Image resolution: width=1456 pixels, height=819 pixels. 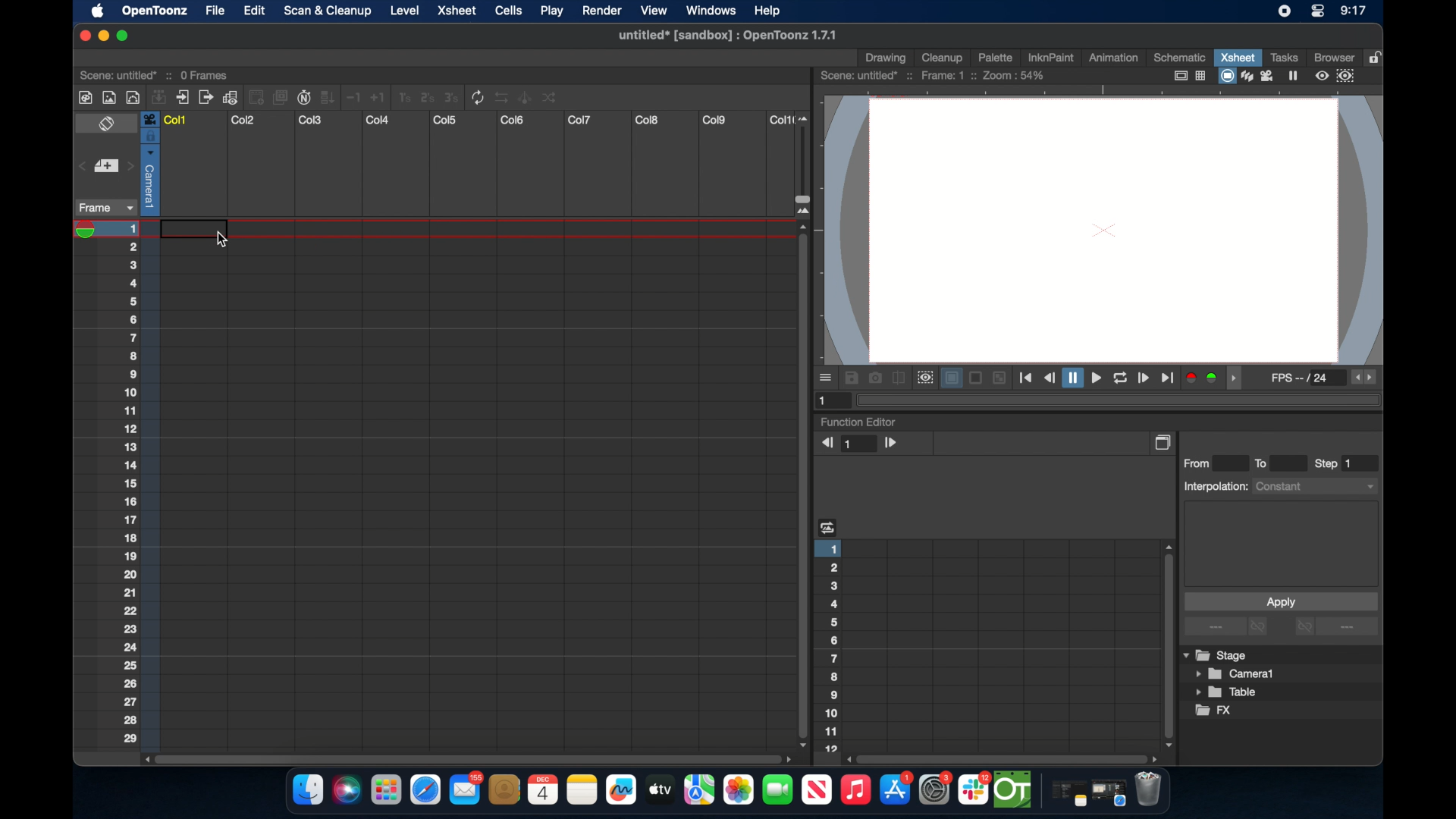 What do you see at coordinates (124, 36) in the screenshot?
I see `maximize` at bounding box center [124, 36].